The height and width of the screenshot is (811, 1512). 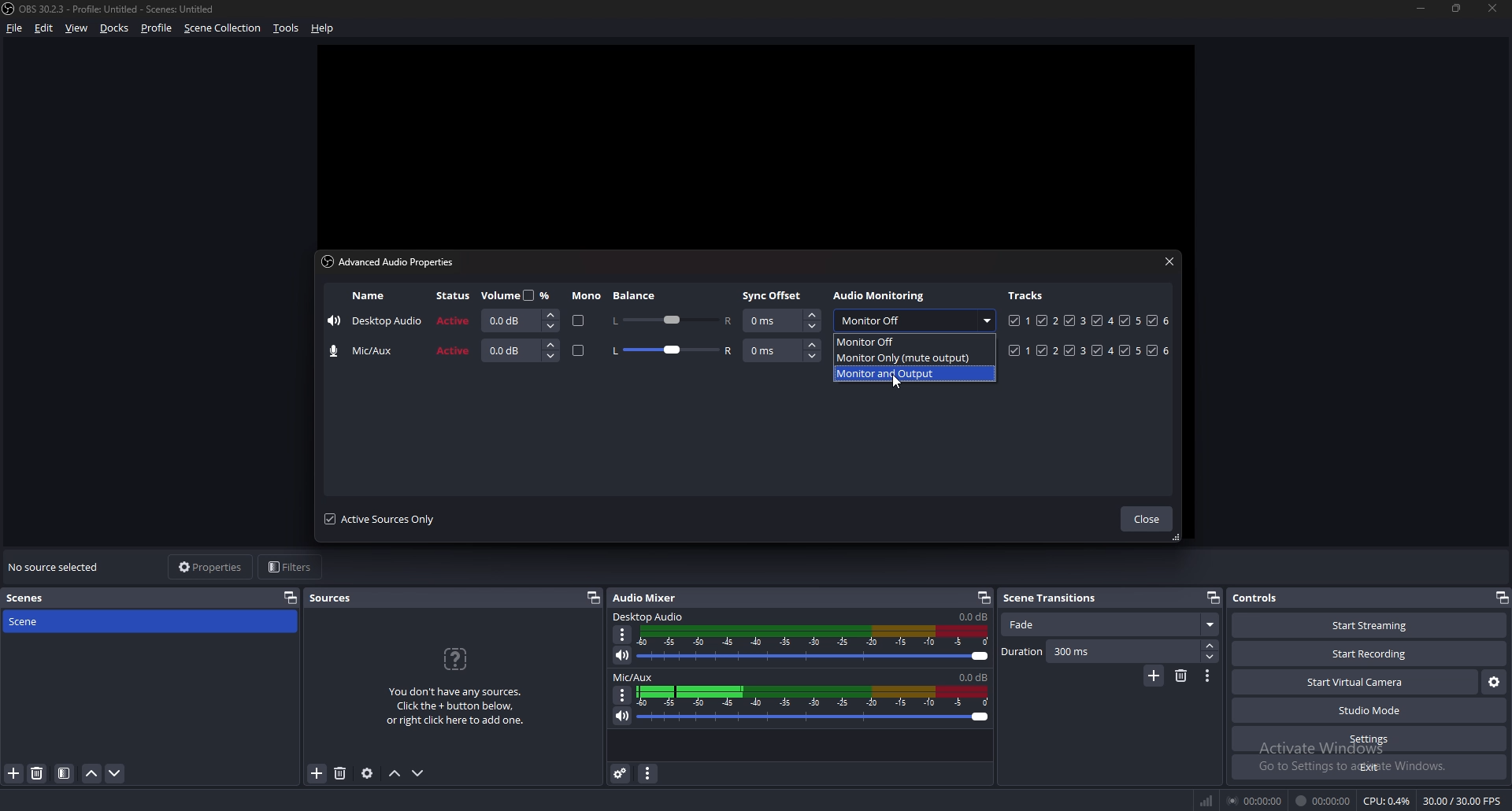 I want to click on properties, so click(x=209, y=567).